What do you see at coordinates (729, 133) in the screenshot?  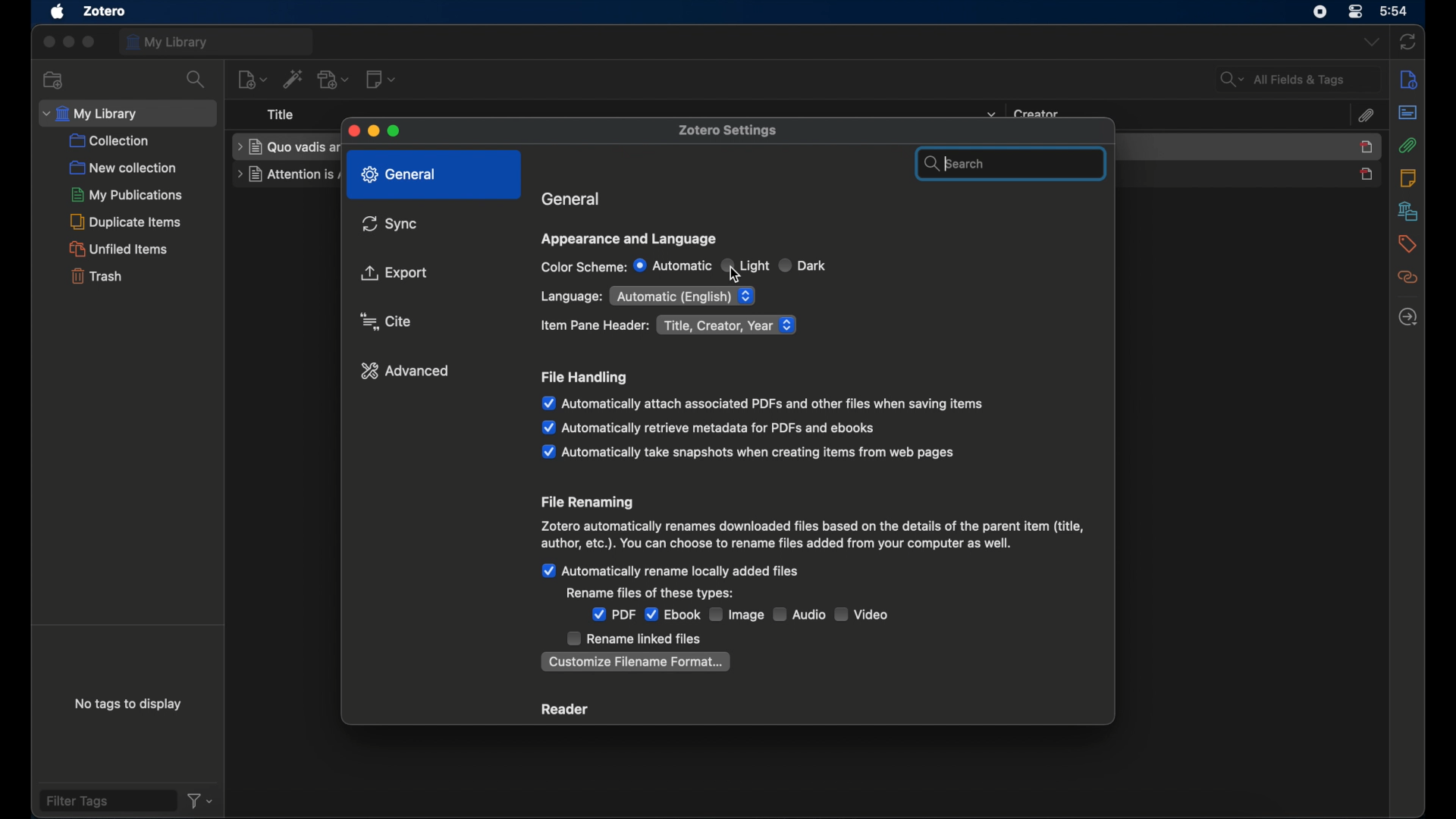 I see `zotero settings` at bounding box center [729, 133].